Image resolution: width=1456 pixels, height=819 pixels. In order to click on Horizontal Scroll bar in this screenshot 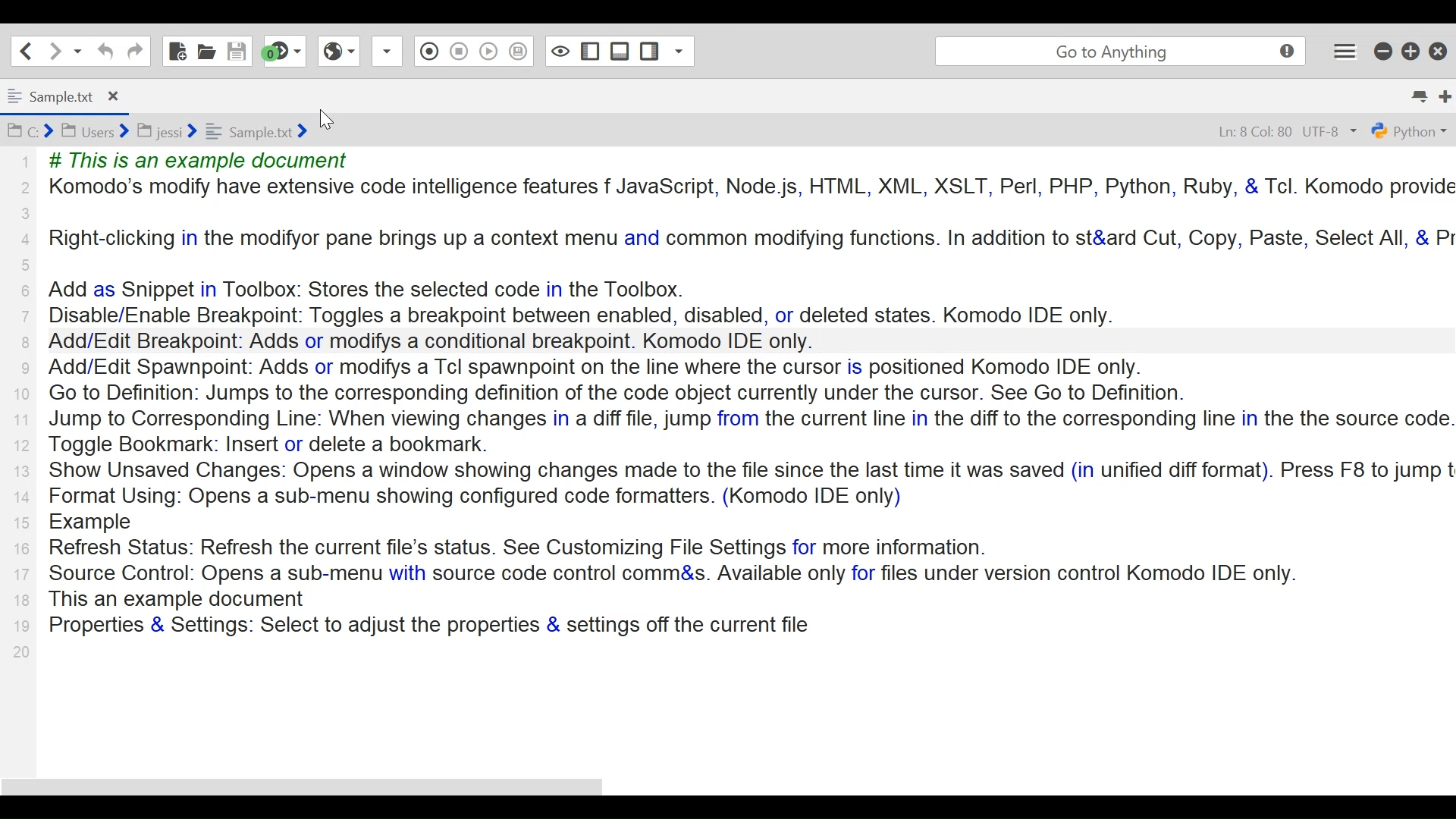, I will do `click(303, 788)`.